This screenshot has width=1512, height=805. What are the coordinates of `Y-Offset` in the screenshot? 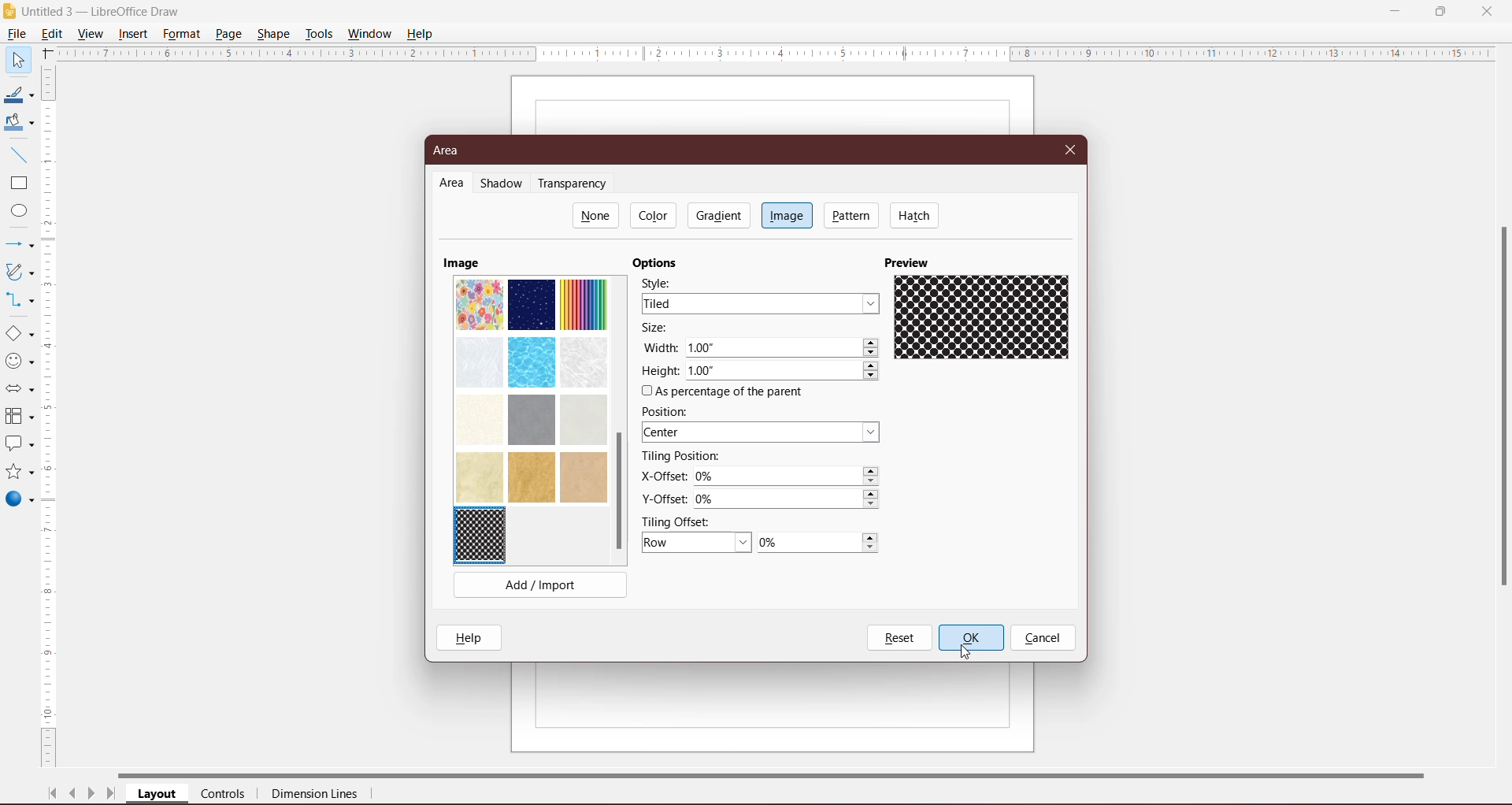 It's located at (664, 497).